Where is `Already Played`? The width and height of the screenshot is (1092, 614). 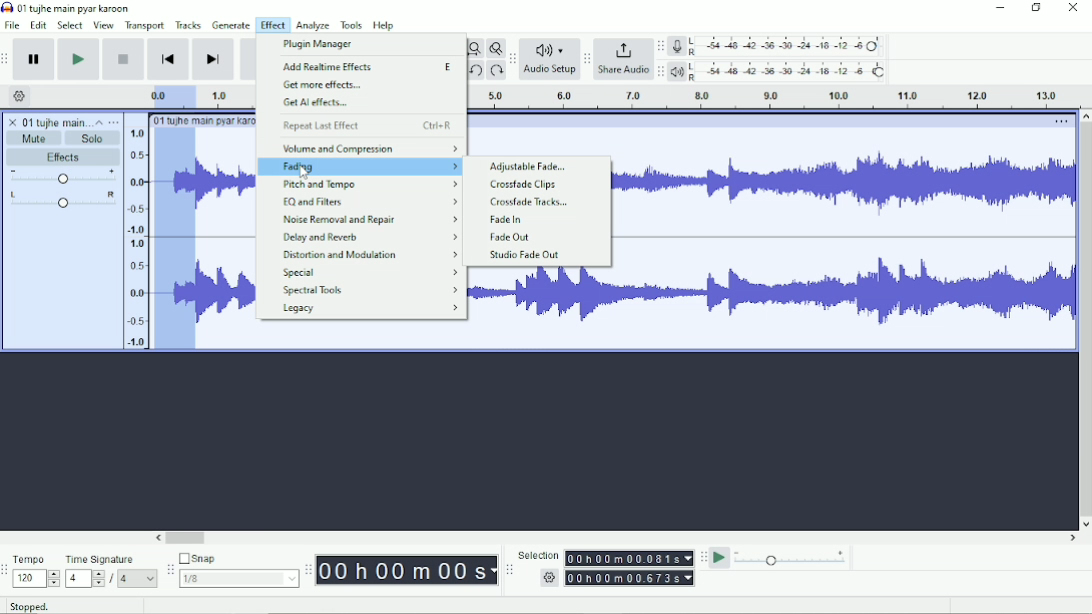
Already Played is located at coordinates (175, 239).